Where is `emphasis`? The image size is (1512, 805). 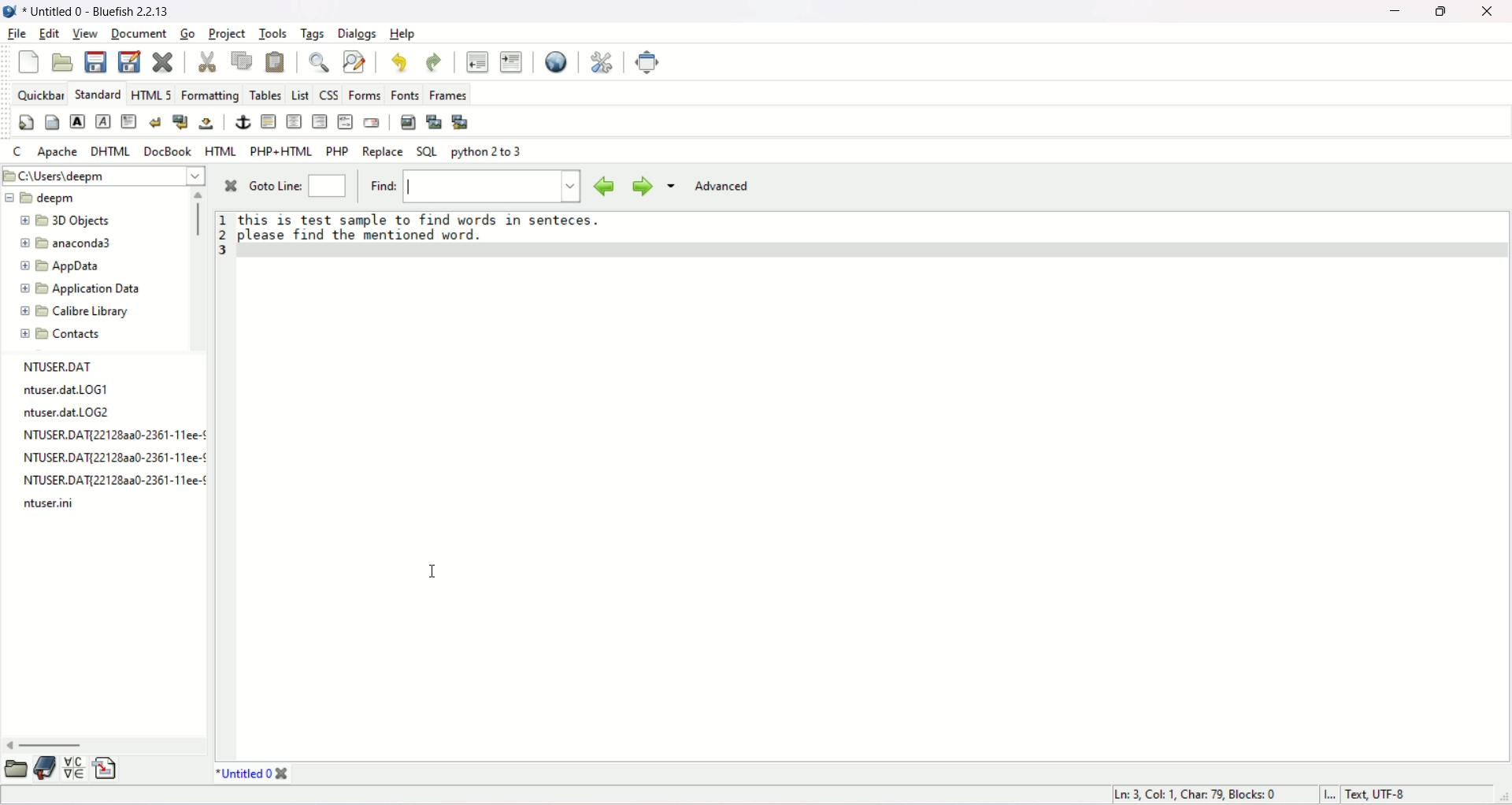
emphasis is located at coordinates (105, 121).